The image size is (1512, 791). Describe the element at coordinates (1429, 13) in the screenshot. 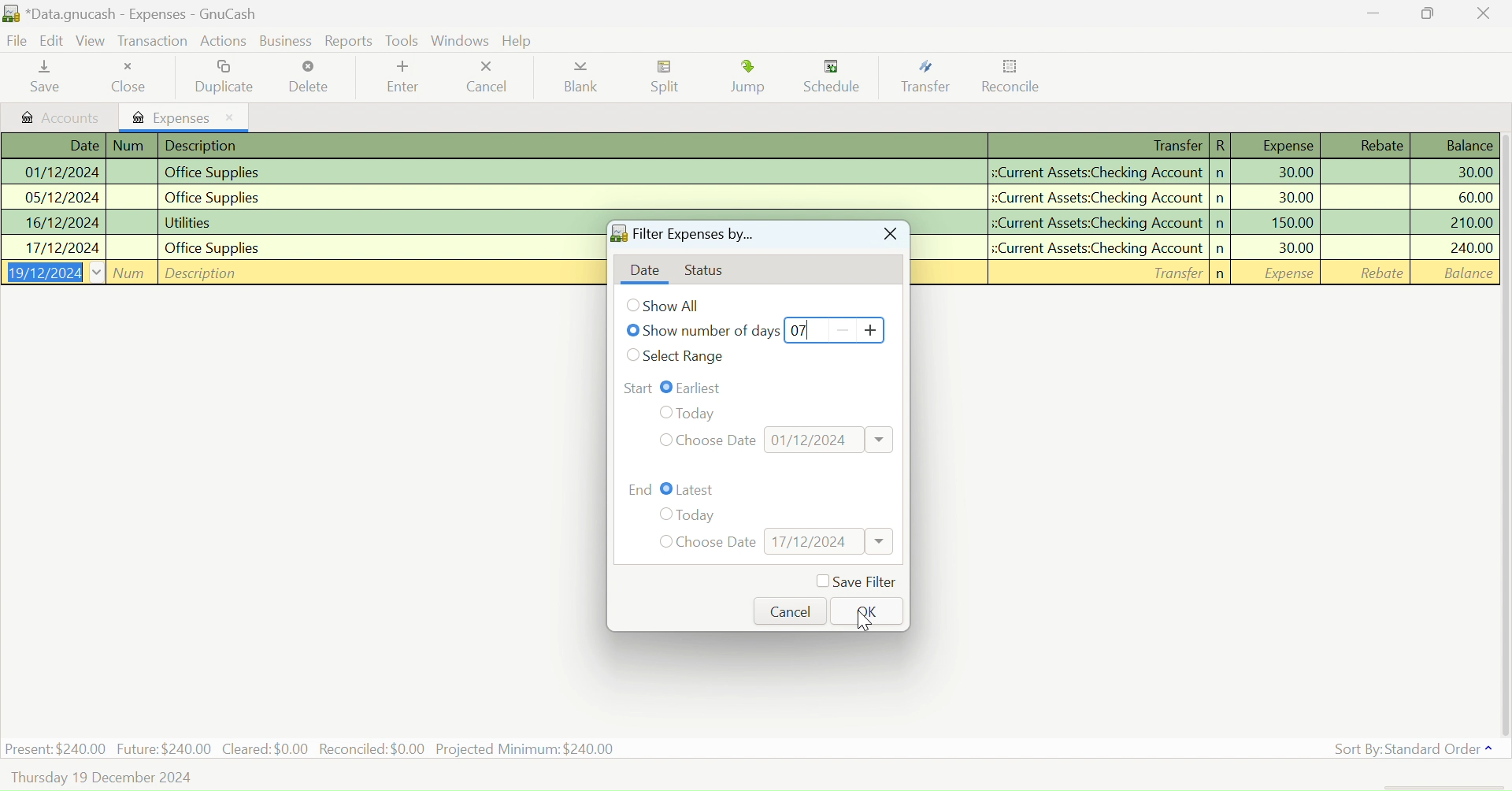

I see `Minimize` at that location.